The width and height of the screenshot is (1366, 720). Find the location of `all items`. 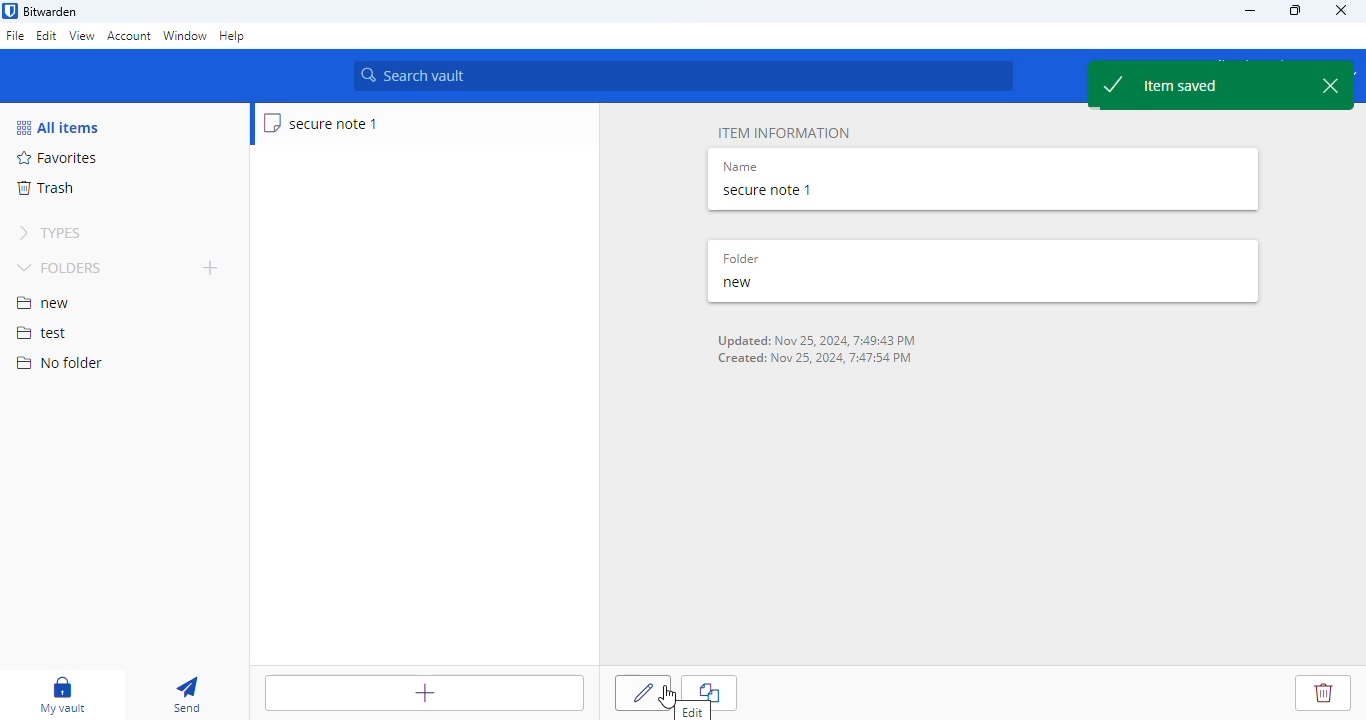

all items is located at coordinates (57, 127).